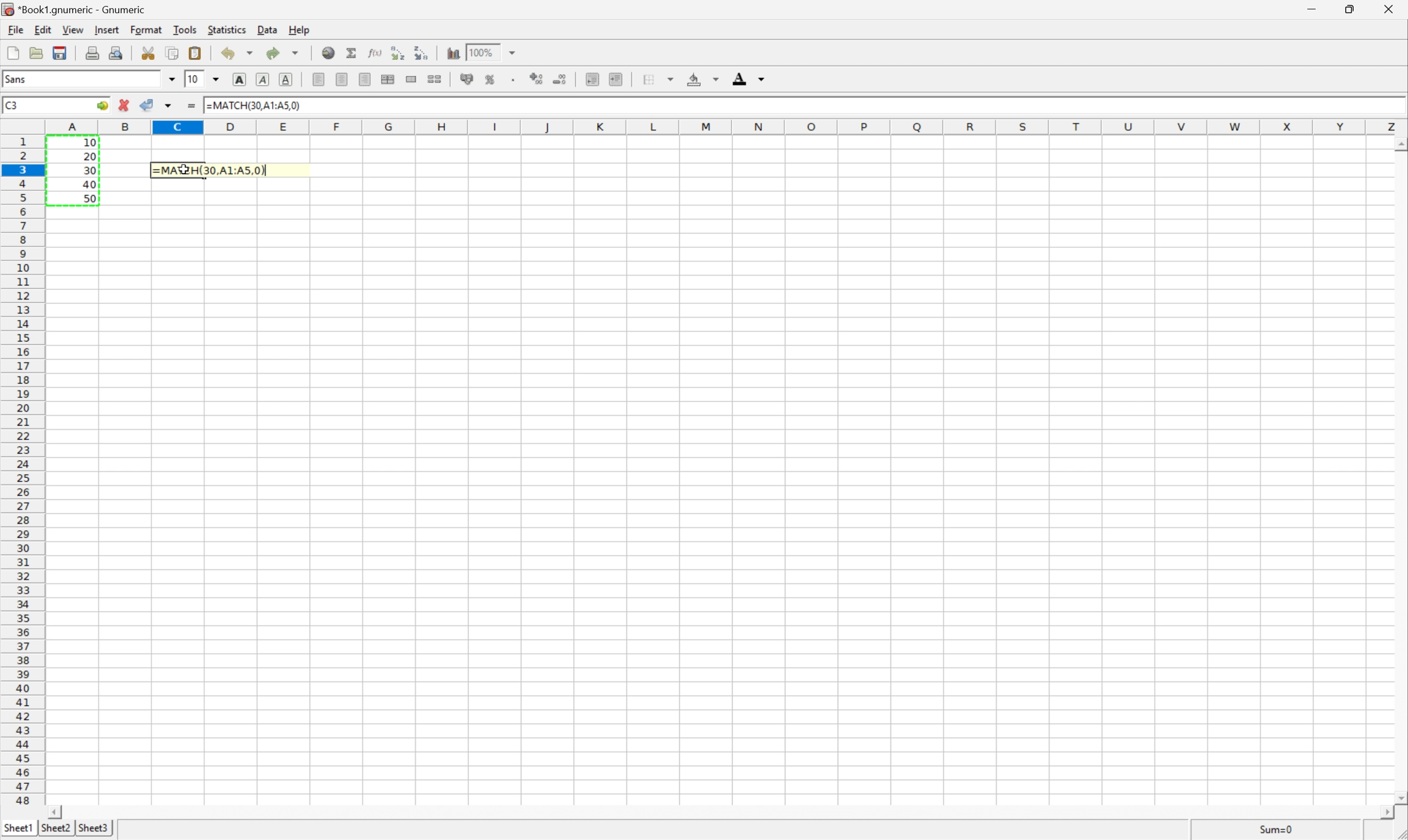 The width and height of the screenshot is (1408, 840). Describe the element at coordinates (670, 78) in the screenshot. I see `Drop down` at that location.